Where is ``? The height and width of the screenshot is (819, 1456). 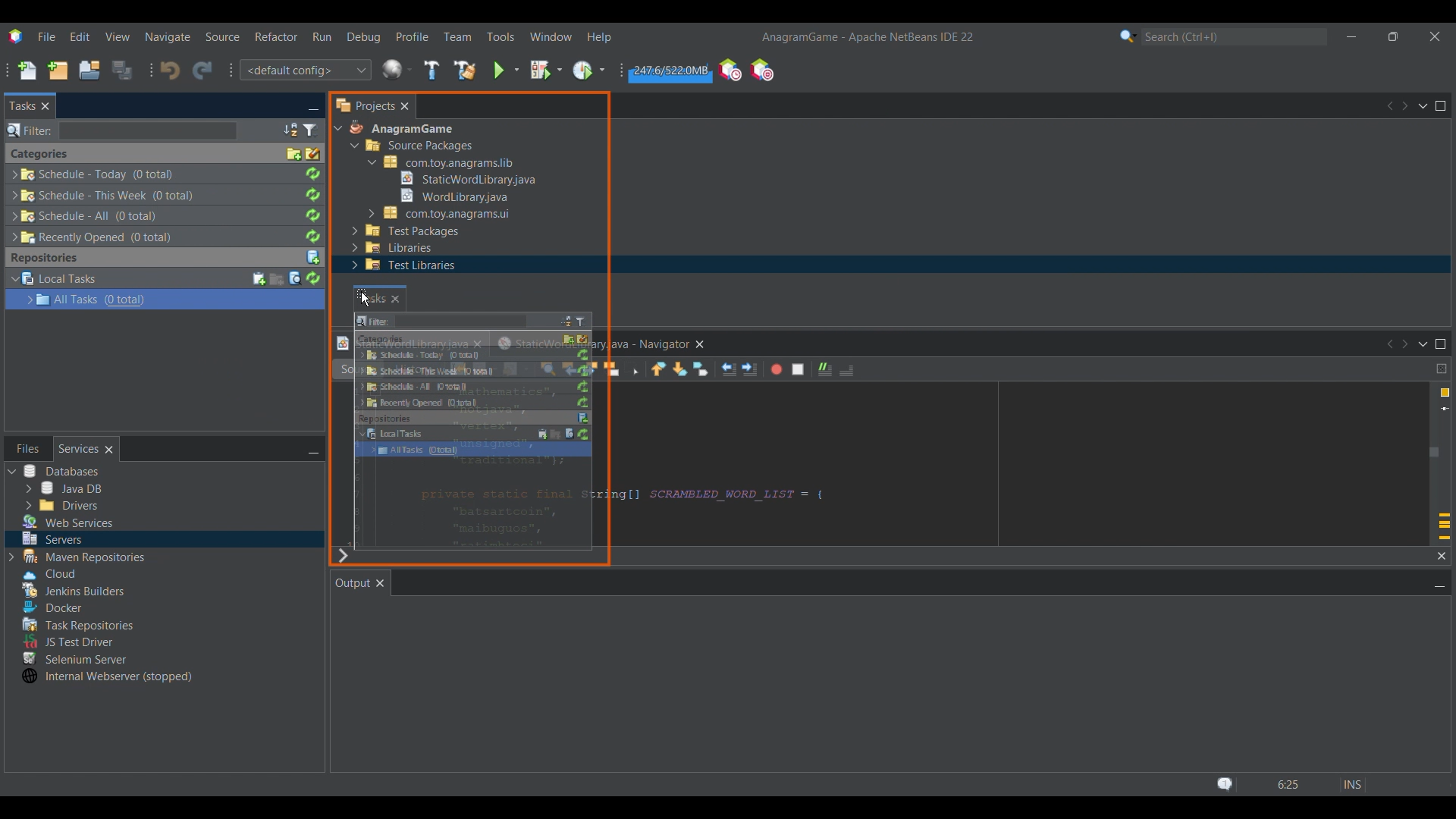  is located at coordinates (406, 231).